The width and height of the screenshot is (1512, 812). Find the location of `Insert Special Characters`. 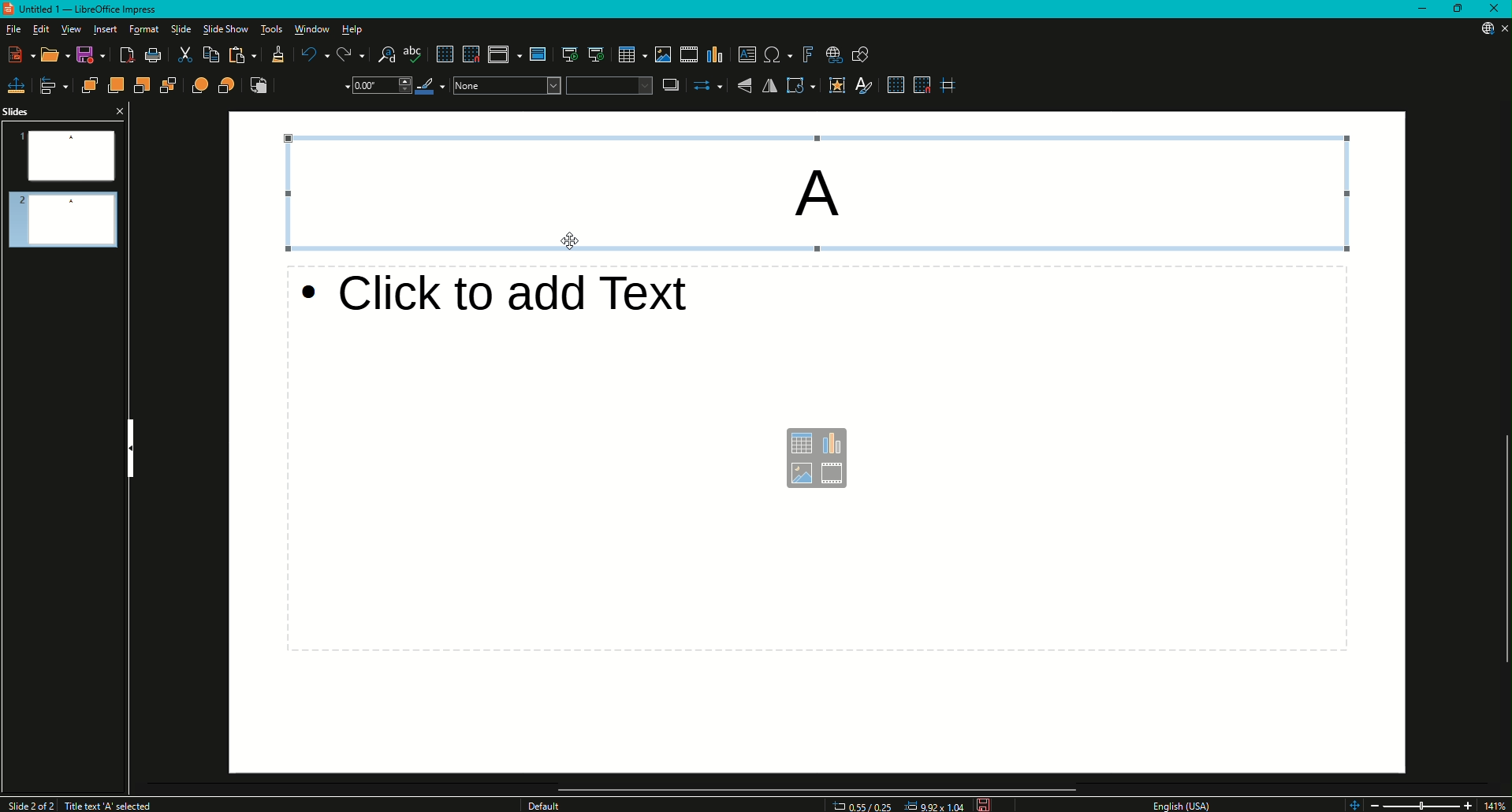

Insert Special Characters is located at coordinates (774, 54).